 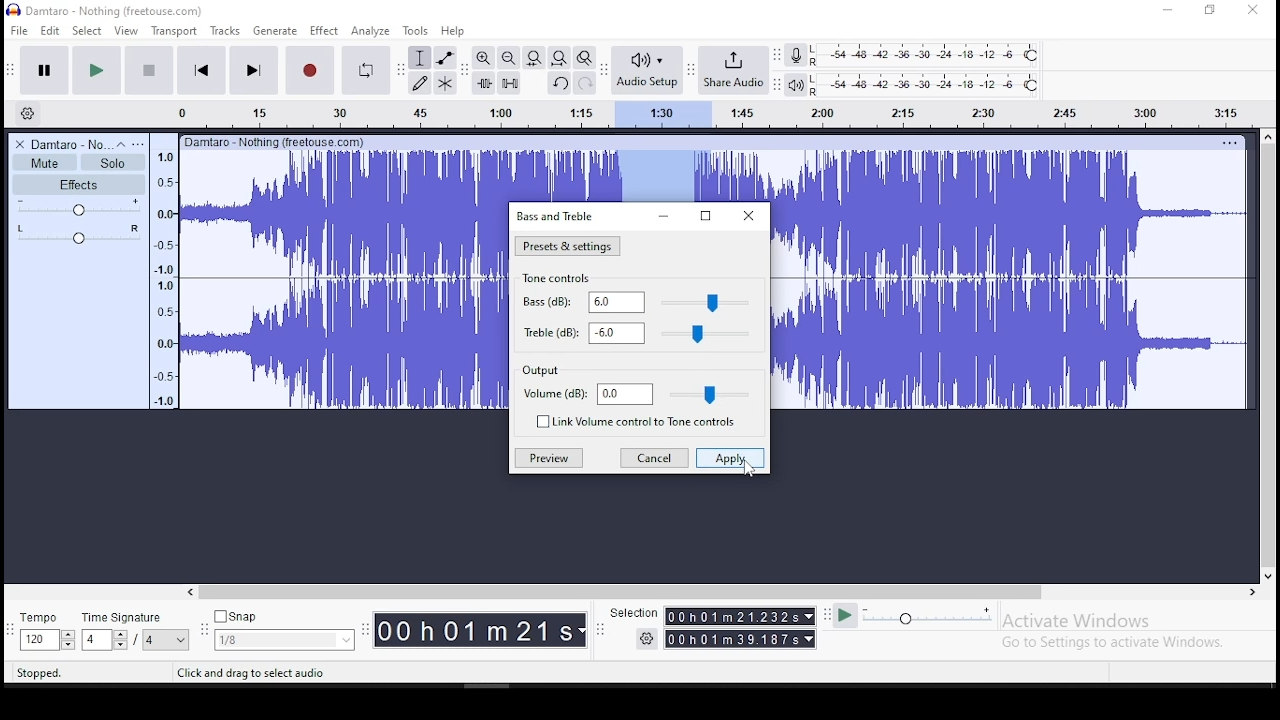 I want to click on , so click(x=366, y=628).